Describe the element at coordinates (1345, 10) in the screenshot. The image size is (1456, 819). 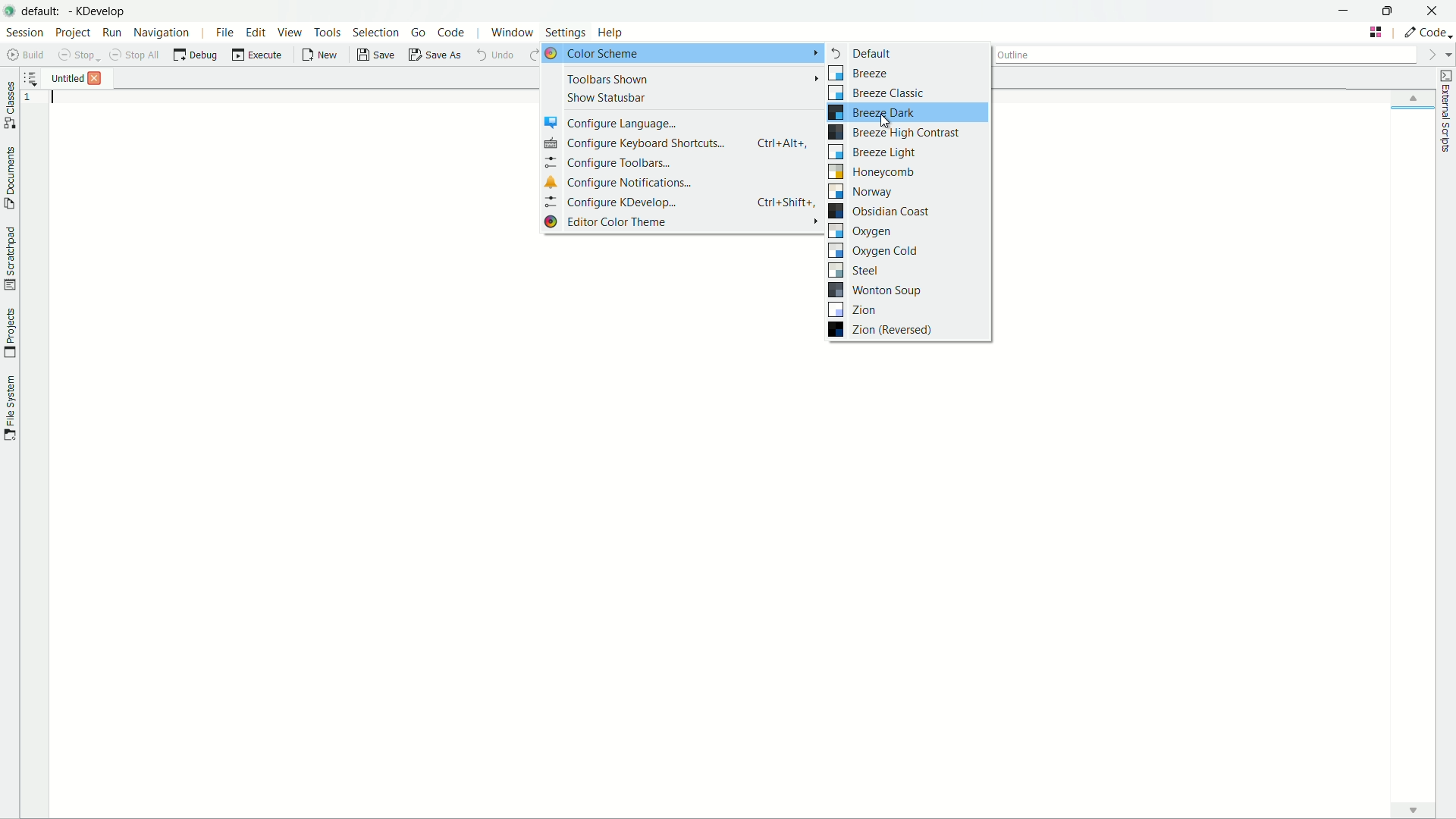
I see `minimize` at that location.